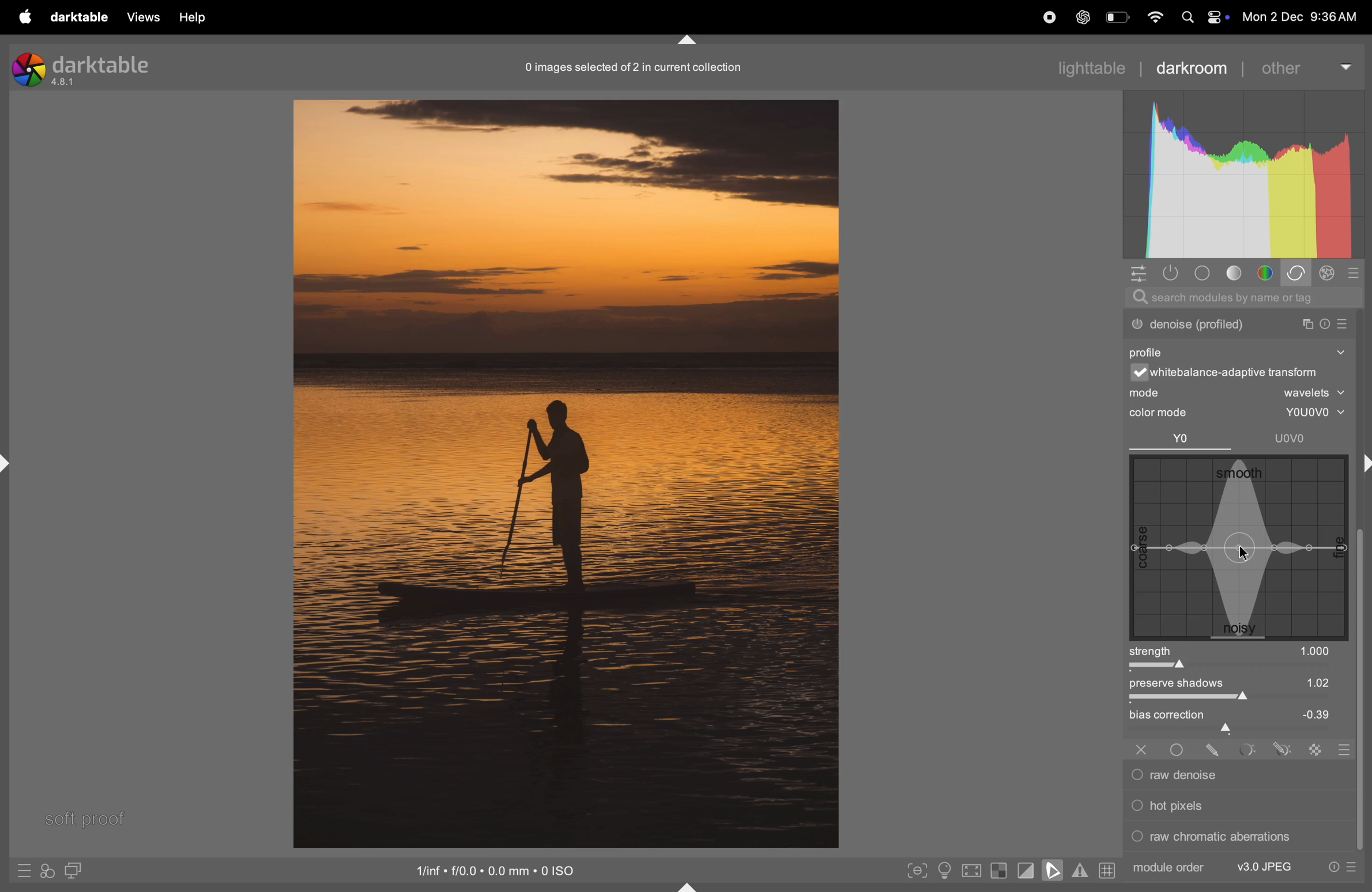 This screenshot has height=892, width=1372. What do you see at coordinates (1043, 18) in the screenshot?
I see `record` at bounding box center [1043, 18].